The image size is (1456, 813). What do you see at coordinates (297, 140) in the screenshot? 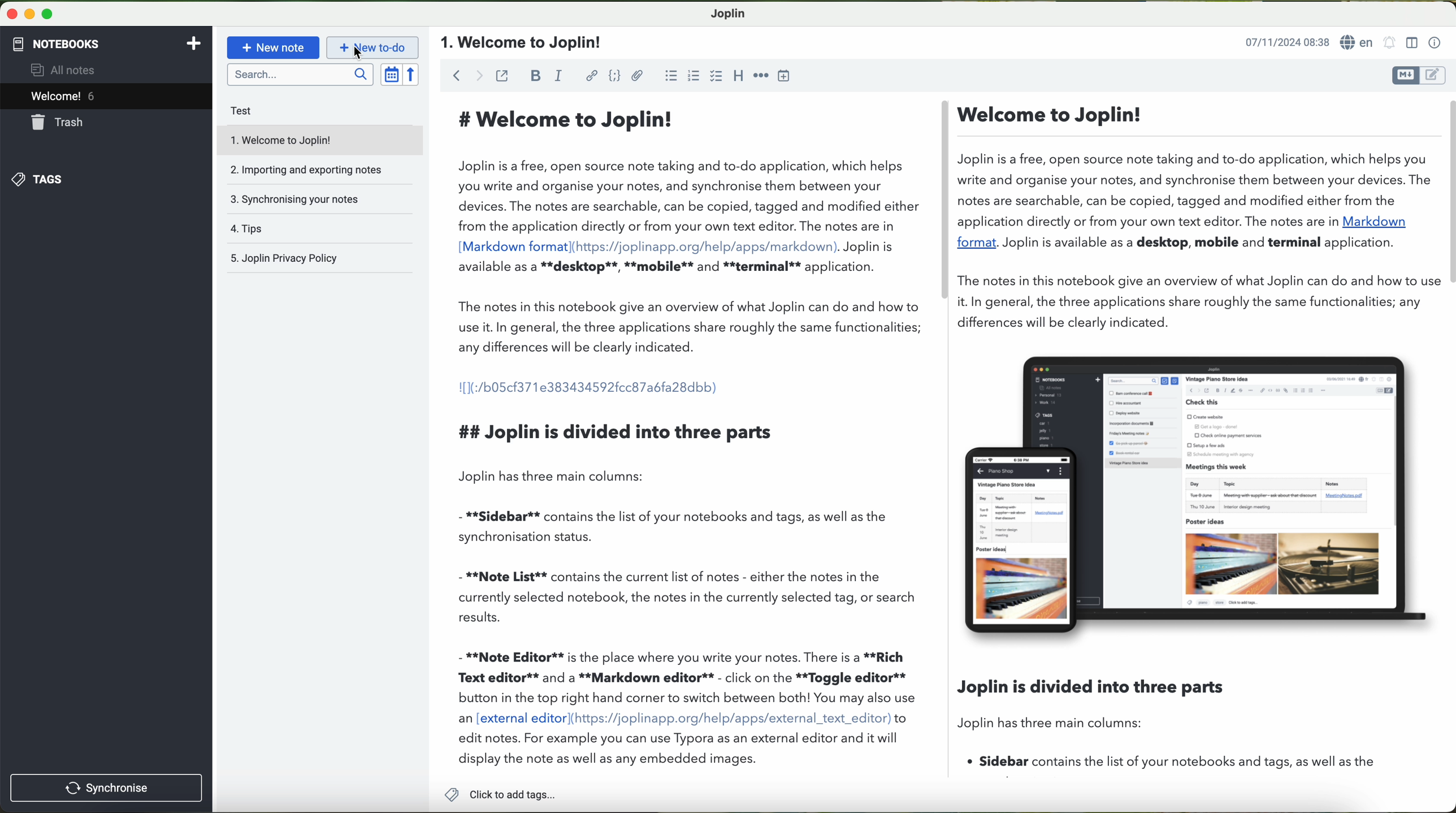
I see `welcome to Joplin` at bounding box center [297, 140].